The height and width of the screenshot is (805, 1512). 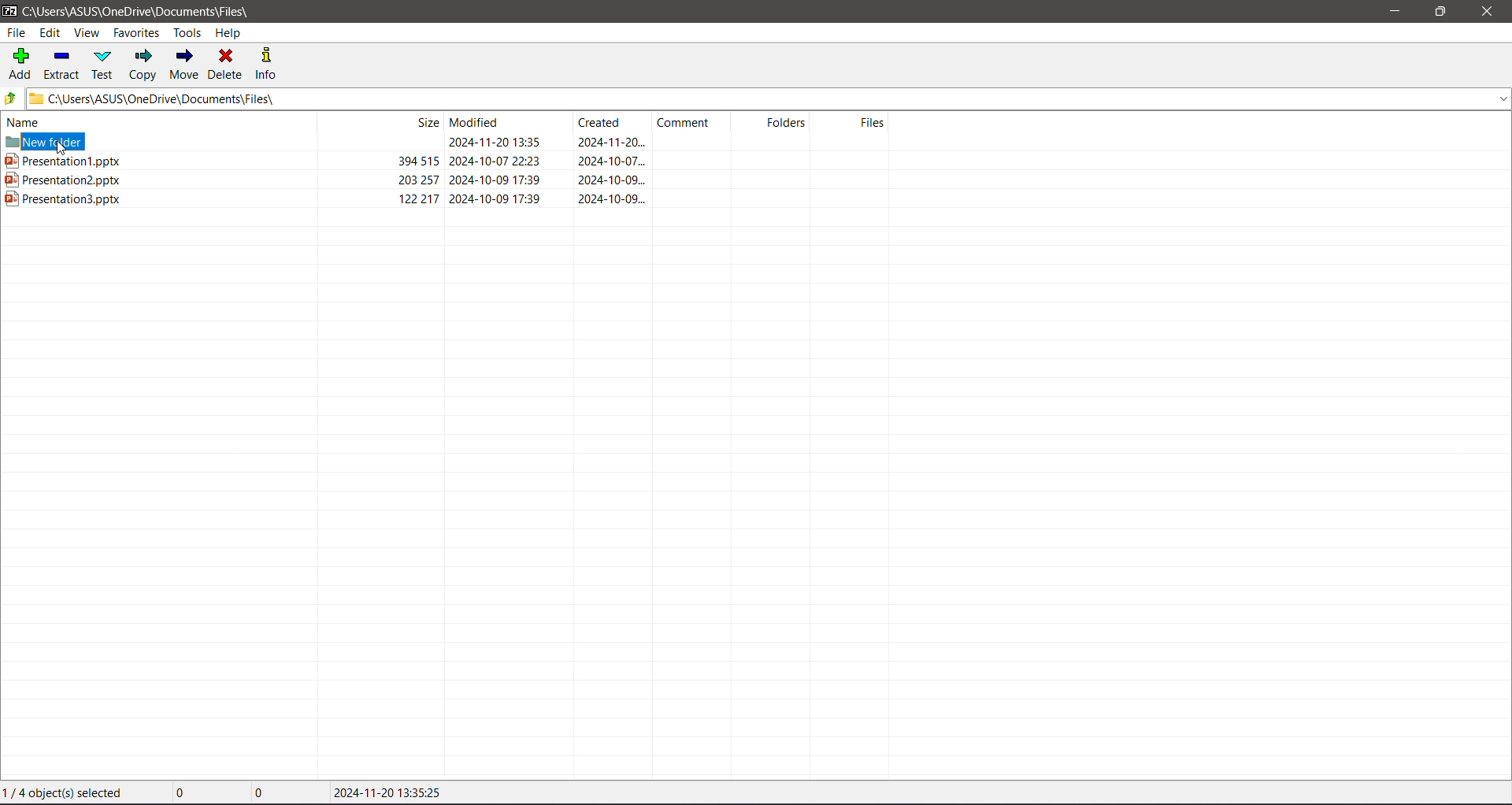 I want to click on Current Folder Path, so click(x=773, y=99).